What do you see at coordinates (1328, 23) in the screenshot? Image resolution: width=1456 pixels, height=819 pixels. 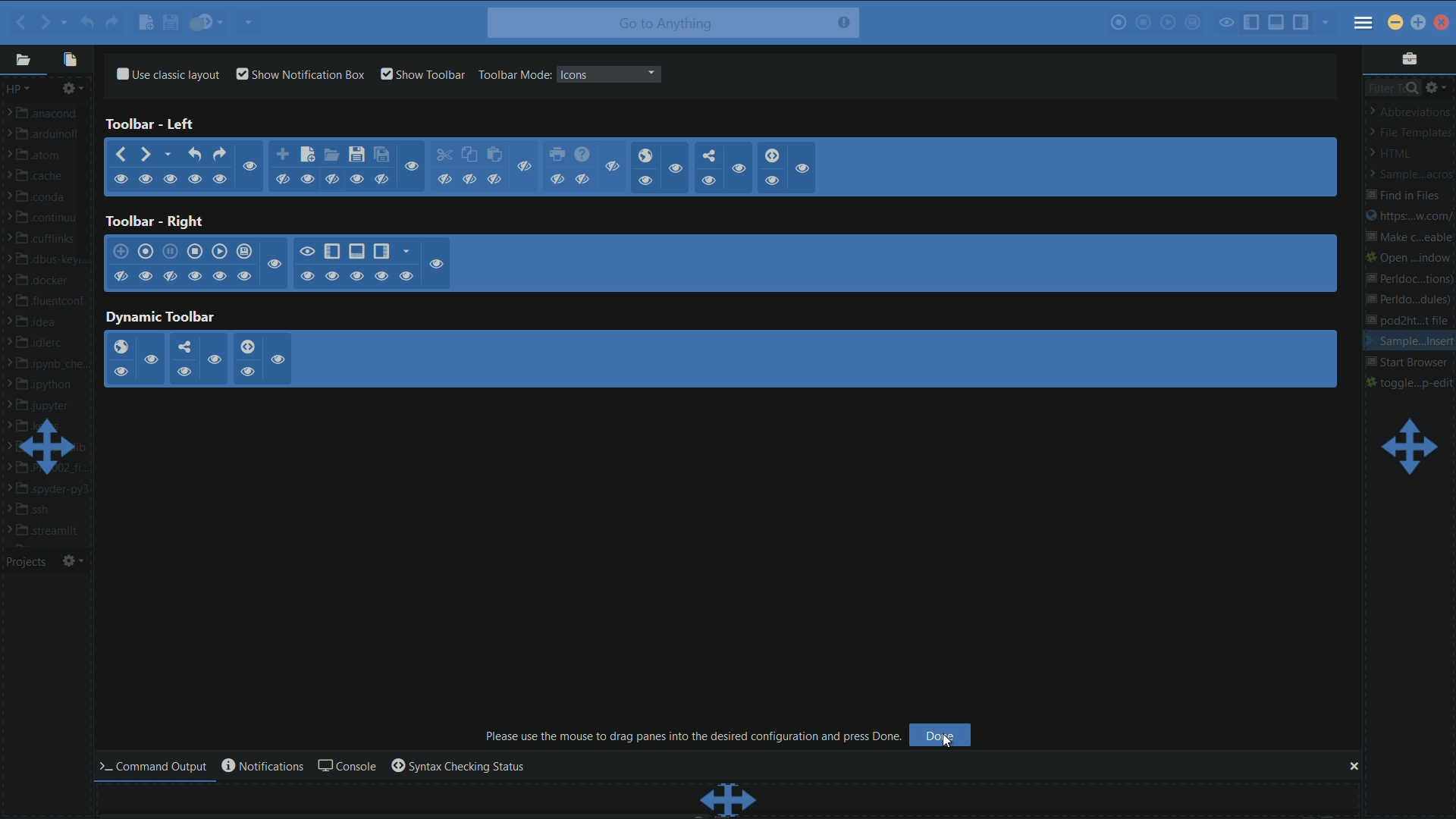 I see `show specific tab/sidebar` at bounding box center [1328, 23].